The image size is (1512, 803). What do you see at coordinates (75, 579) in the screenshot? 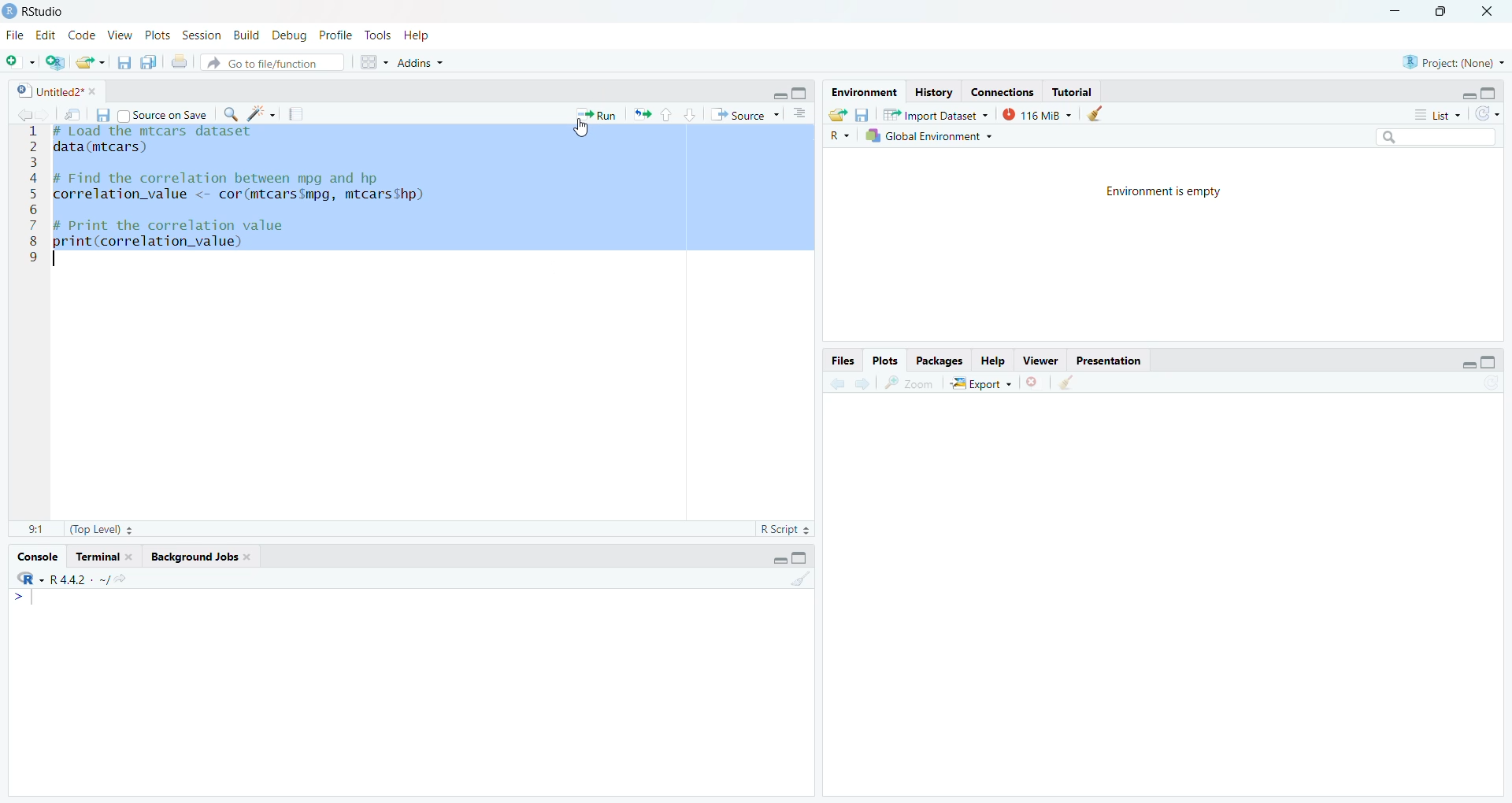
I see `R.4.4.2~/` at bounding box center [75, 579].